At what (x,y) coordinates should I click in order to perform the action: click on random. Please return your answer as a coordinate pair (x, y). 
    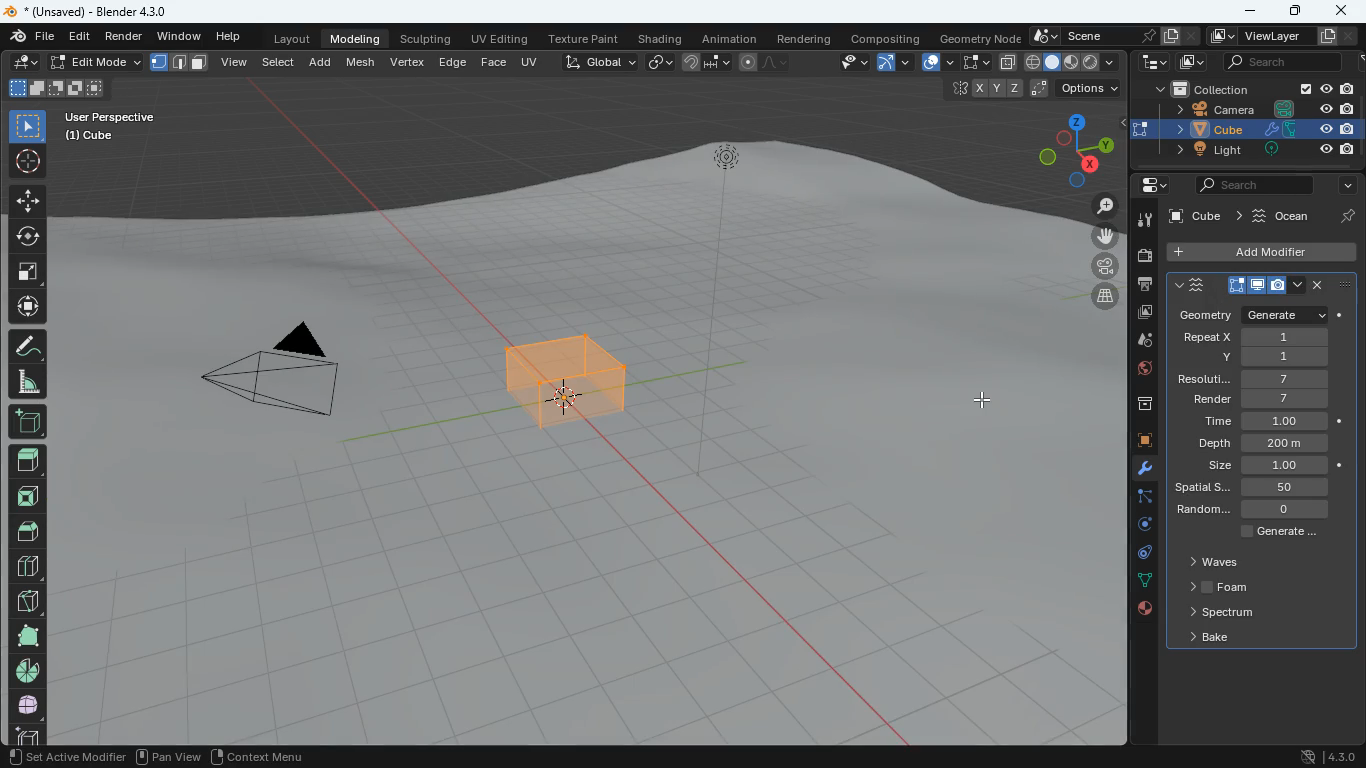
    Looking at the image, I should click on (1261, 510).